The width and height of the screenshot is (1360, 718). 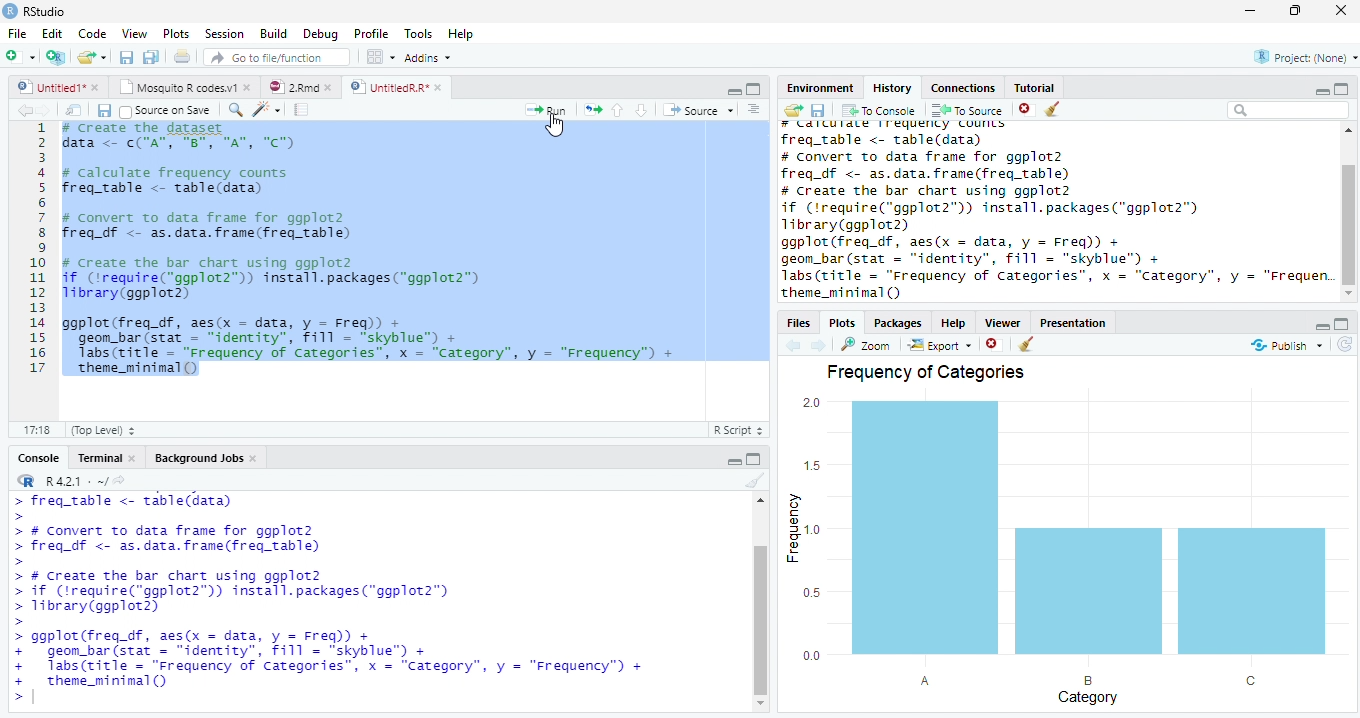 I want to click on Aligns, so click(x=755, y=110).